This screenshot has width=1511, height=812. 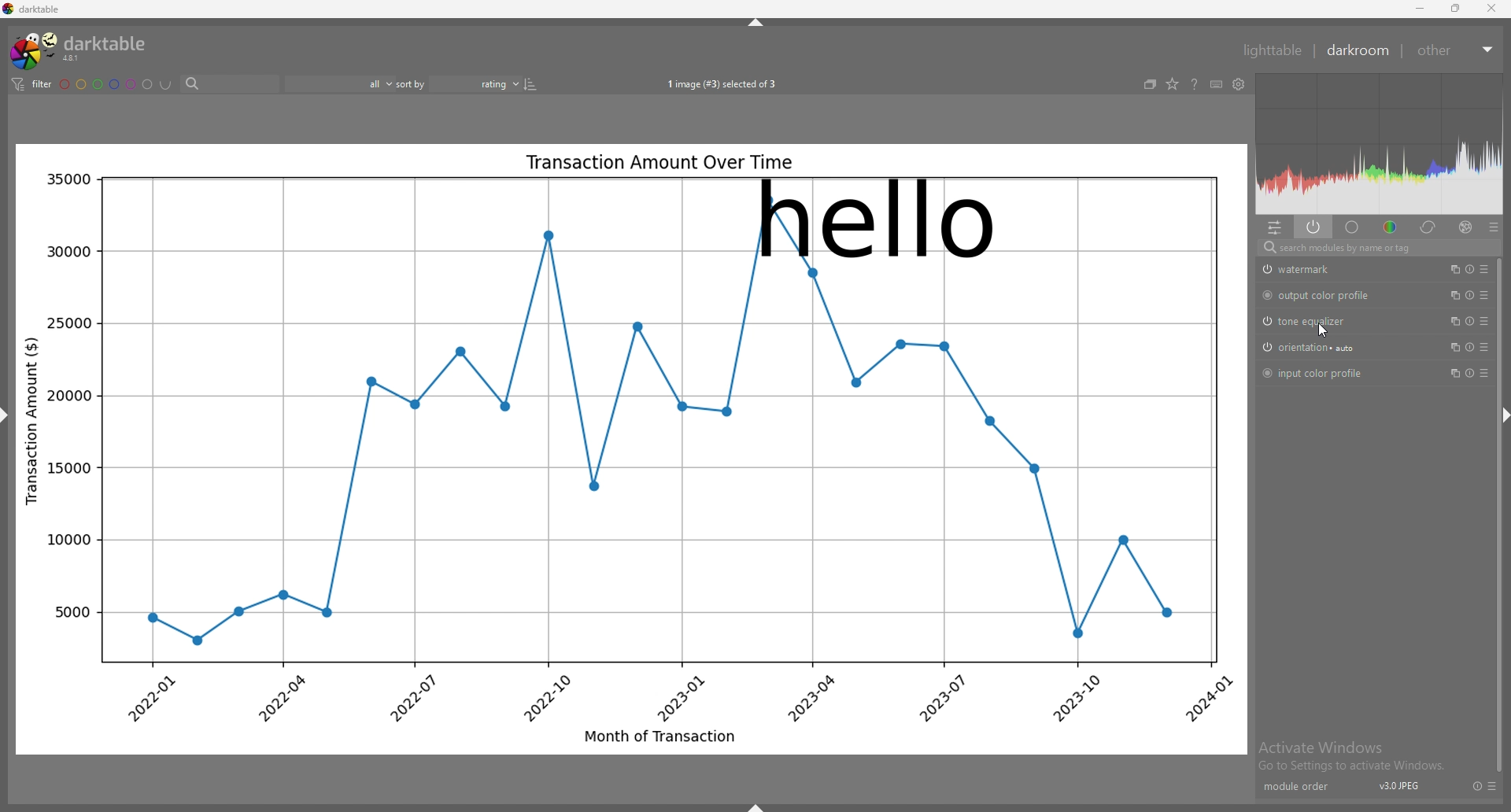 I want to click on 20000, so click(x=68, y=396).